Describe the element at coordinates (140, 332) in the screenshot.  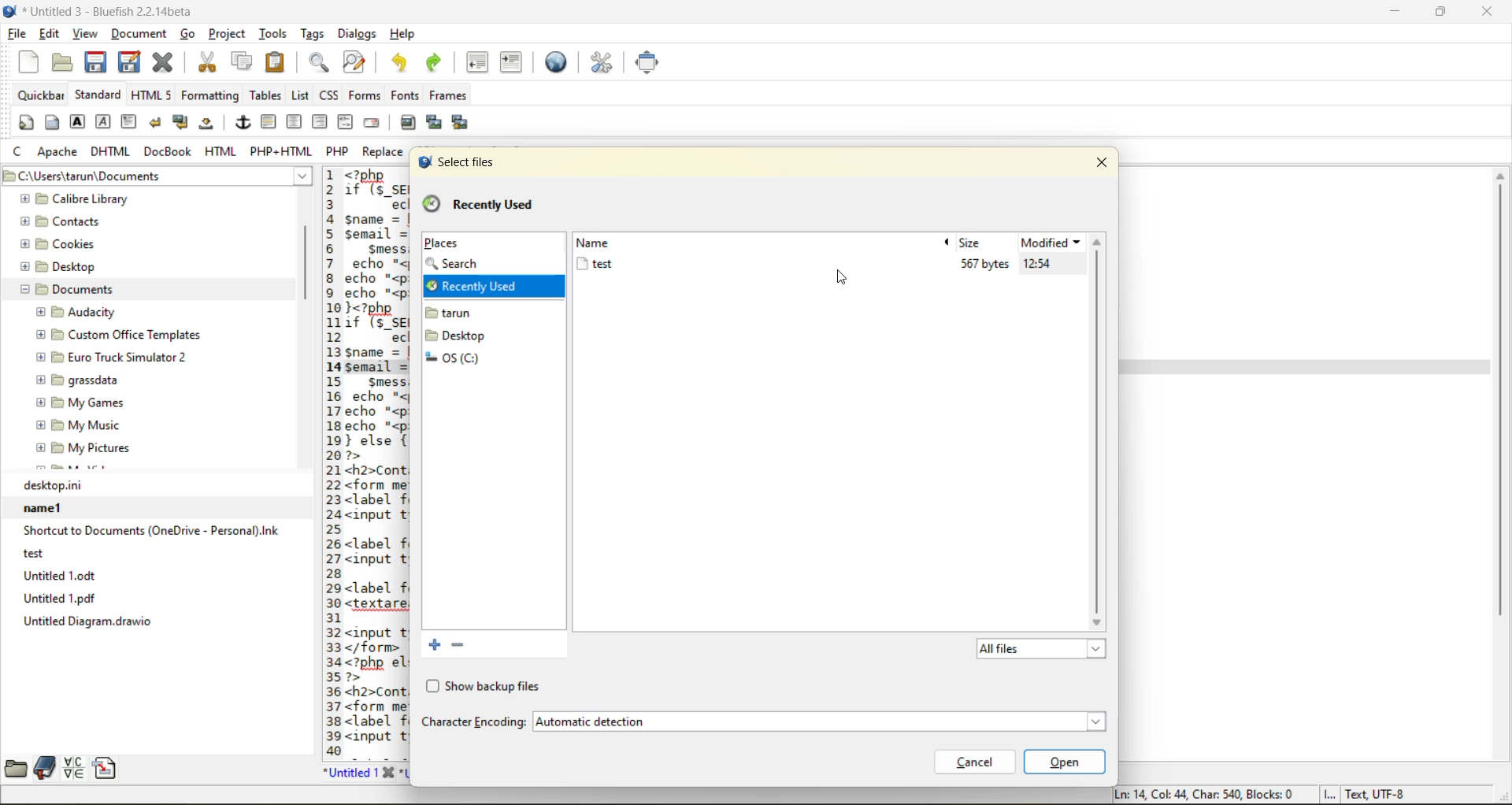
I see `folder explorer` at that location.